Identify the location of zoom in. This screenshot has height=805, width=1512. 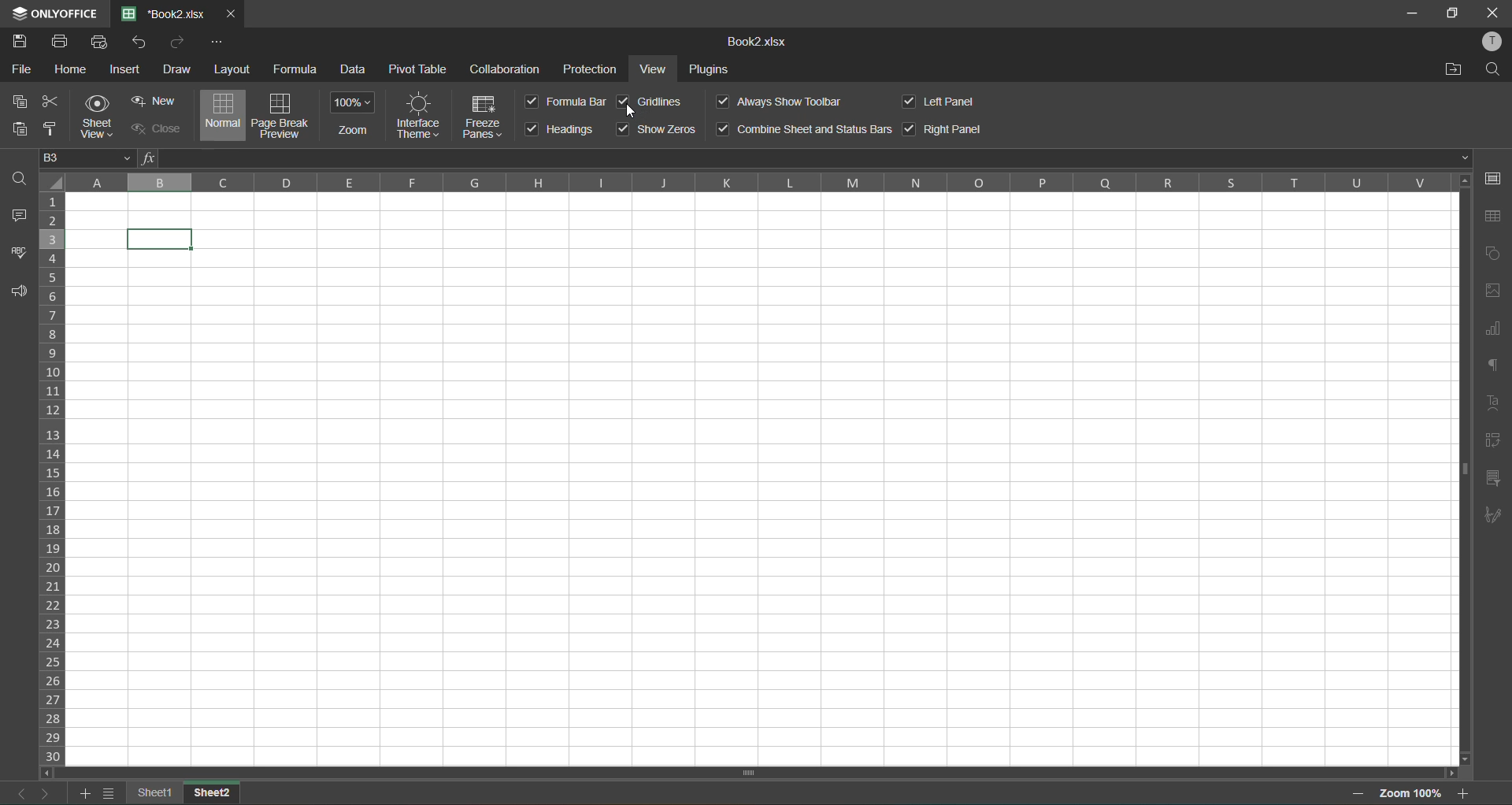
(1466, 793).